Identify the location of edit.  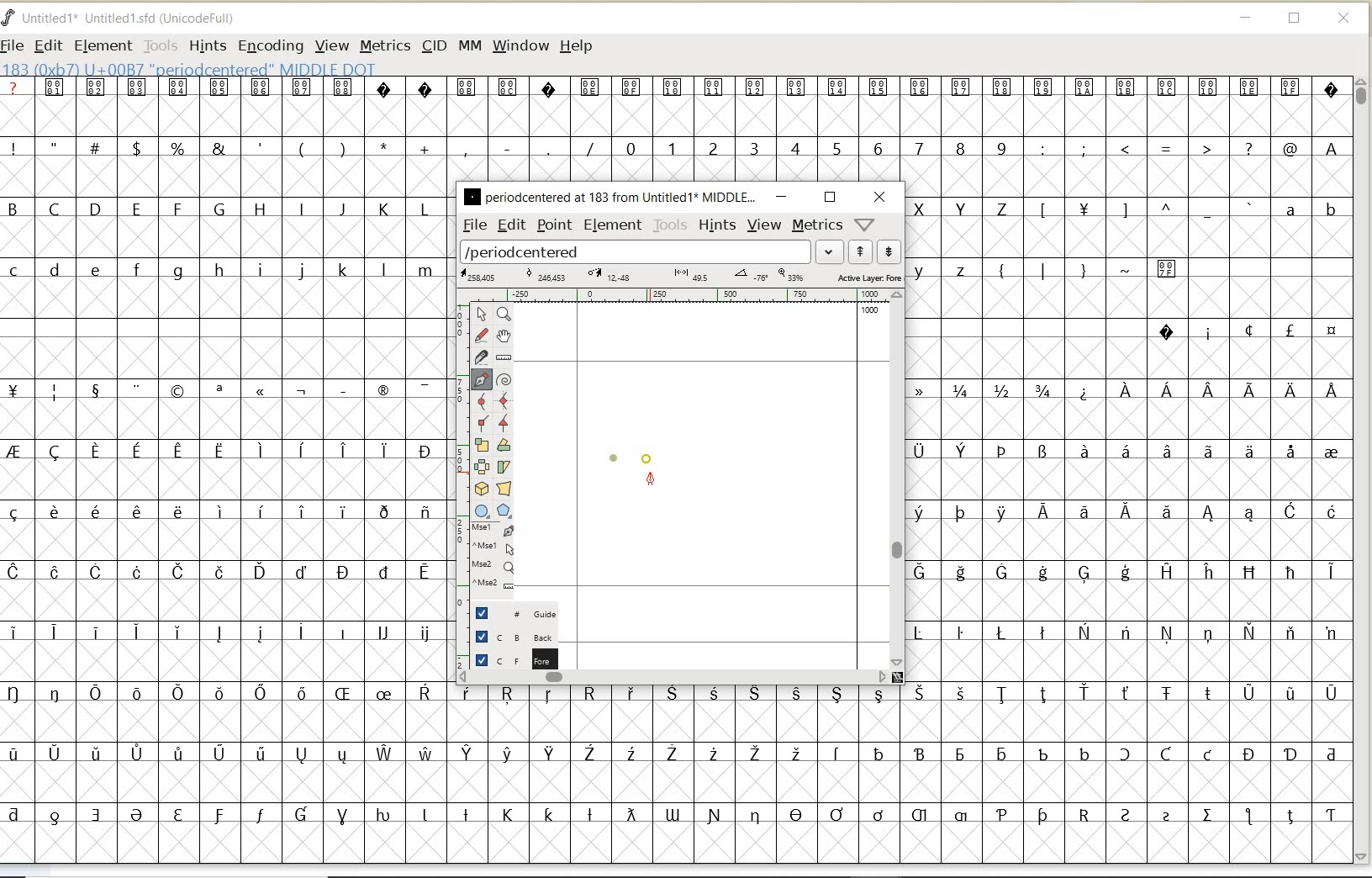
(510, 225).